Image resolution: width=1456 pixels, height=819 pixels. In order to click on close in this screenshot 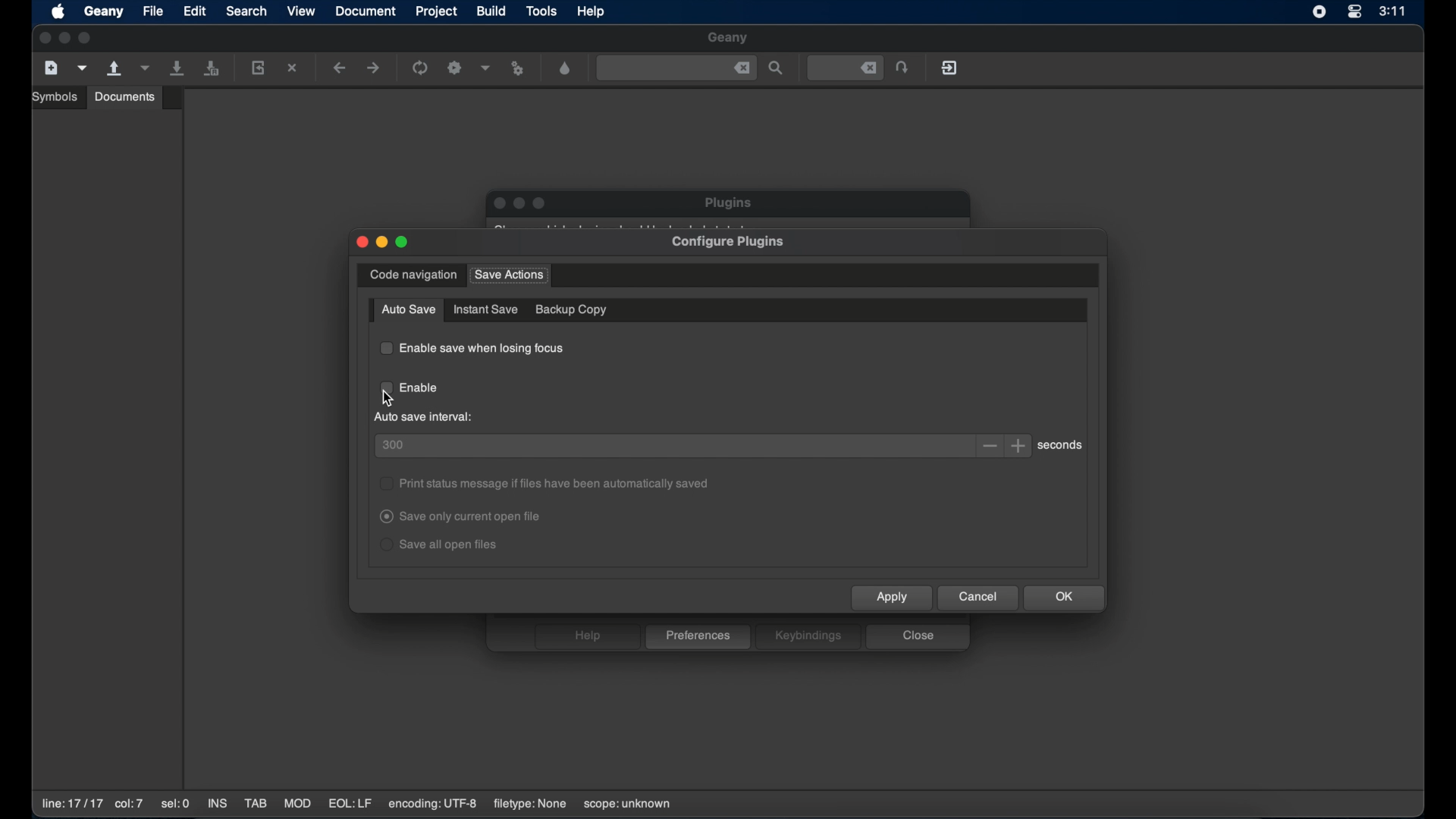, I will do `click(742, 68)`.